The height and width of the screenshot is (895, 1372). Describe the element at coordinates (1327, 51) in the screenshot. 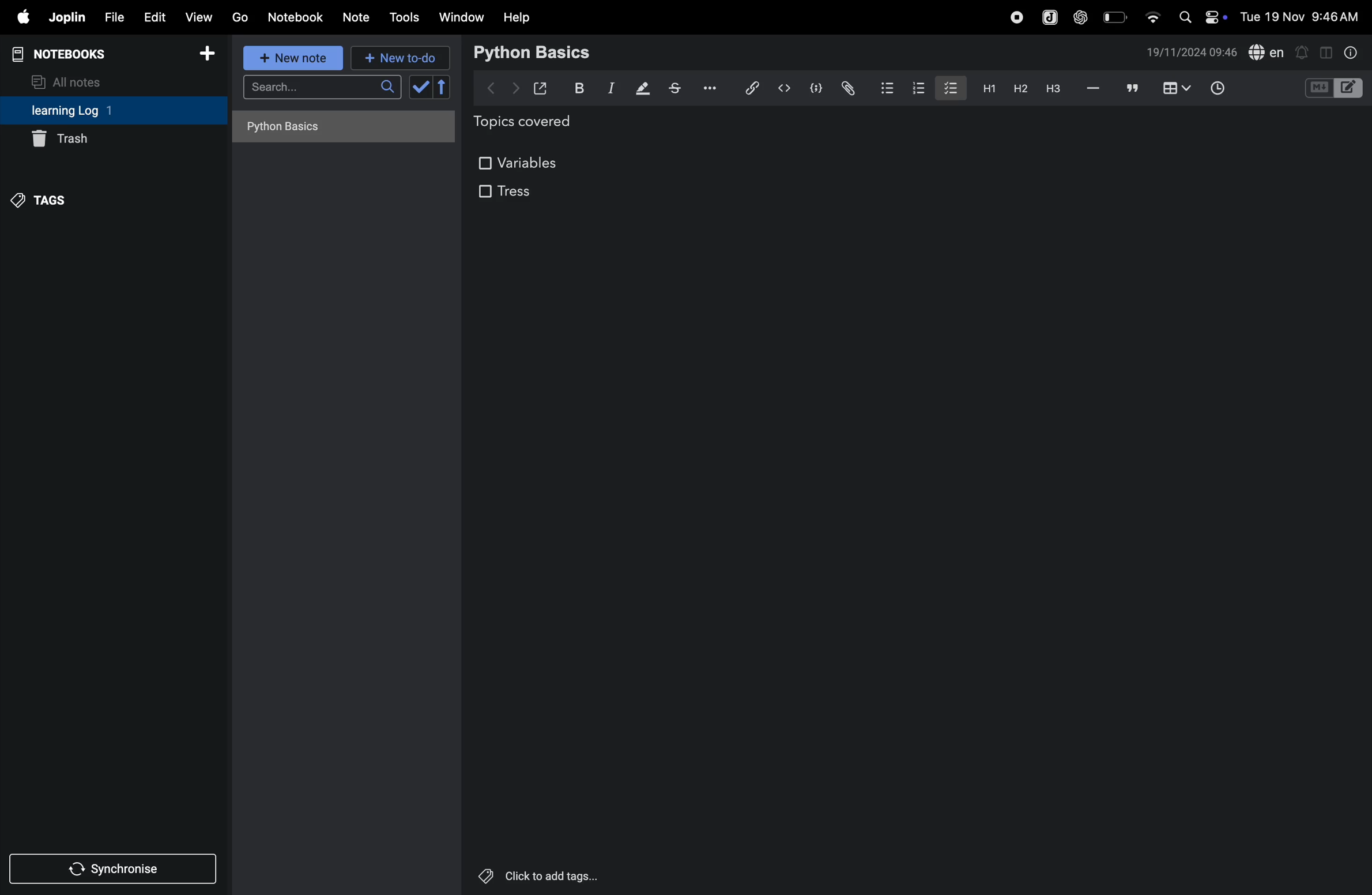

I see `toggle editor layout` at that location.